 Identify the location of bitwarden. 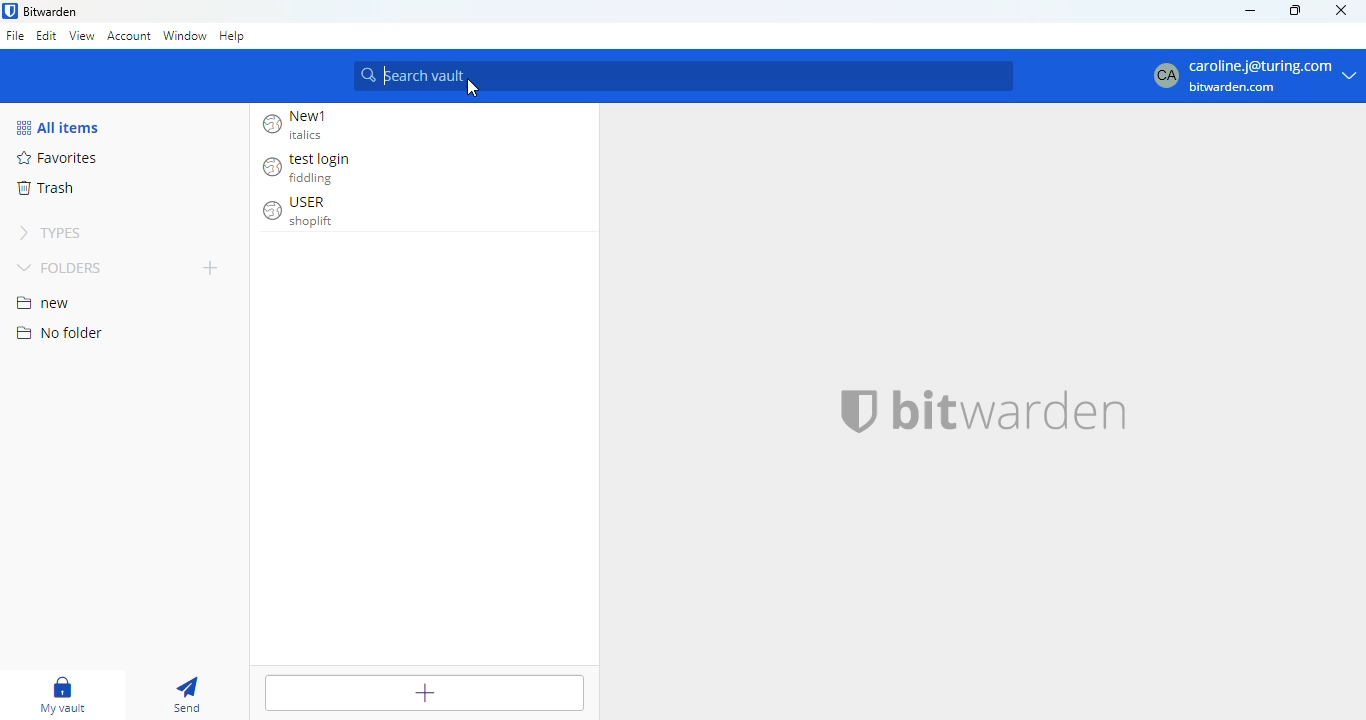
(51, 11).